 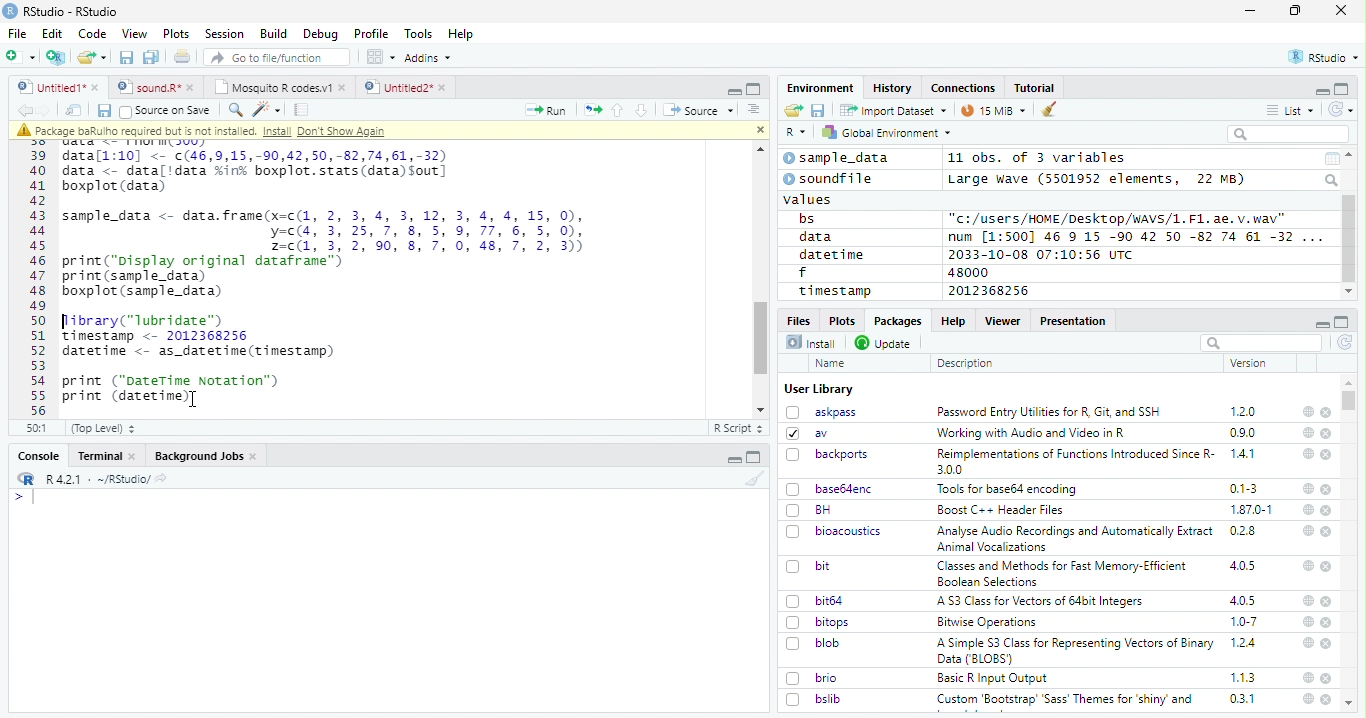 What do you see at coordinates (762, 337) in the screenshot?
I see `scroll bar` at bounding box center [762, 337].